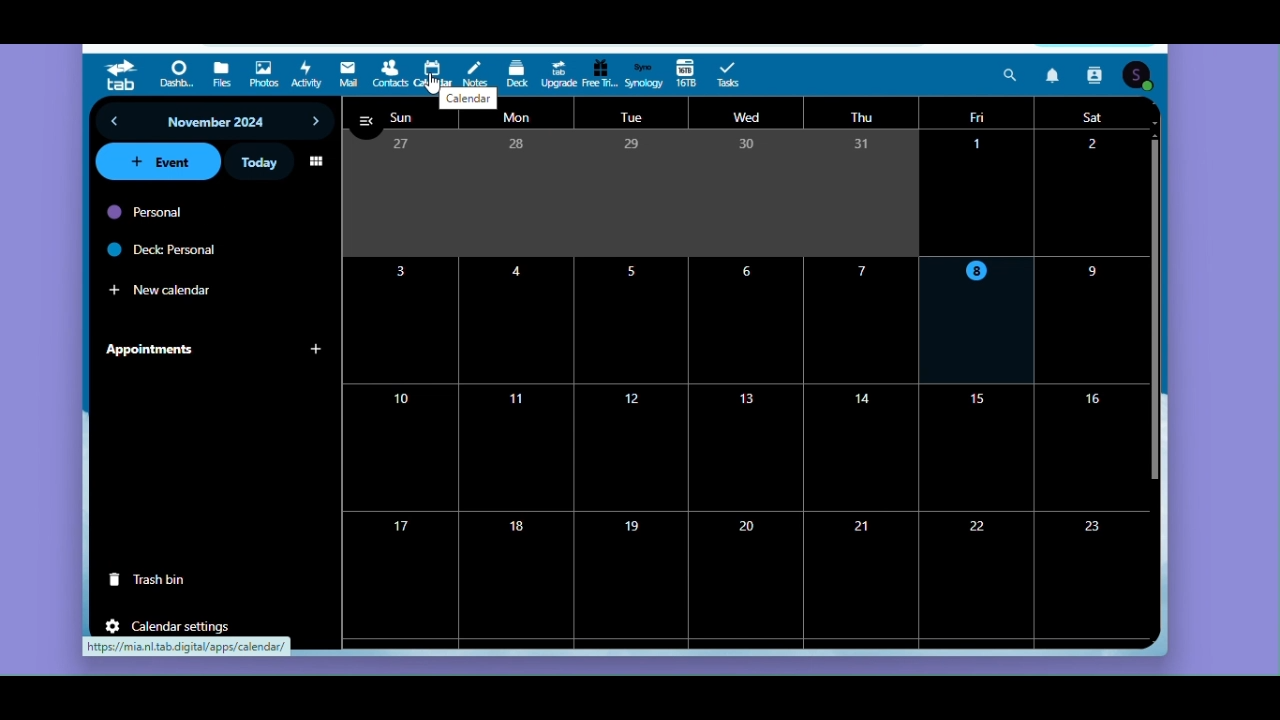 This screenshot has height=720, width=1280. Describe the element at coordinates (1151, 311) in the screenshot. I see `Vertical scrollbar` at that location.